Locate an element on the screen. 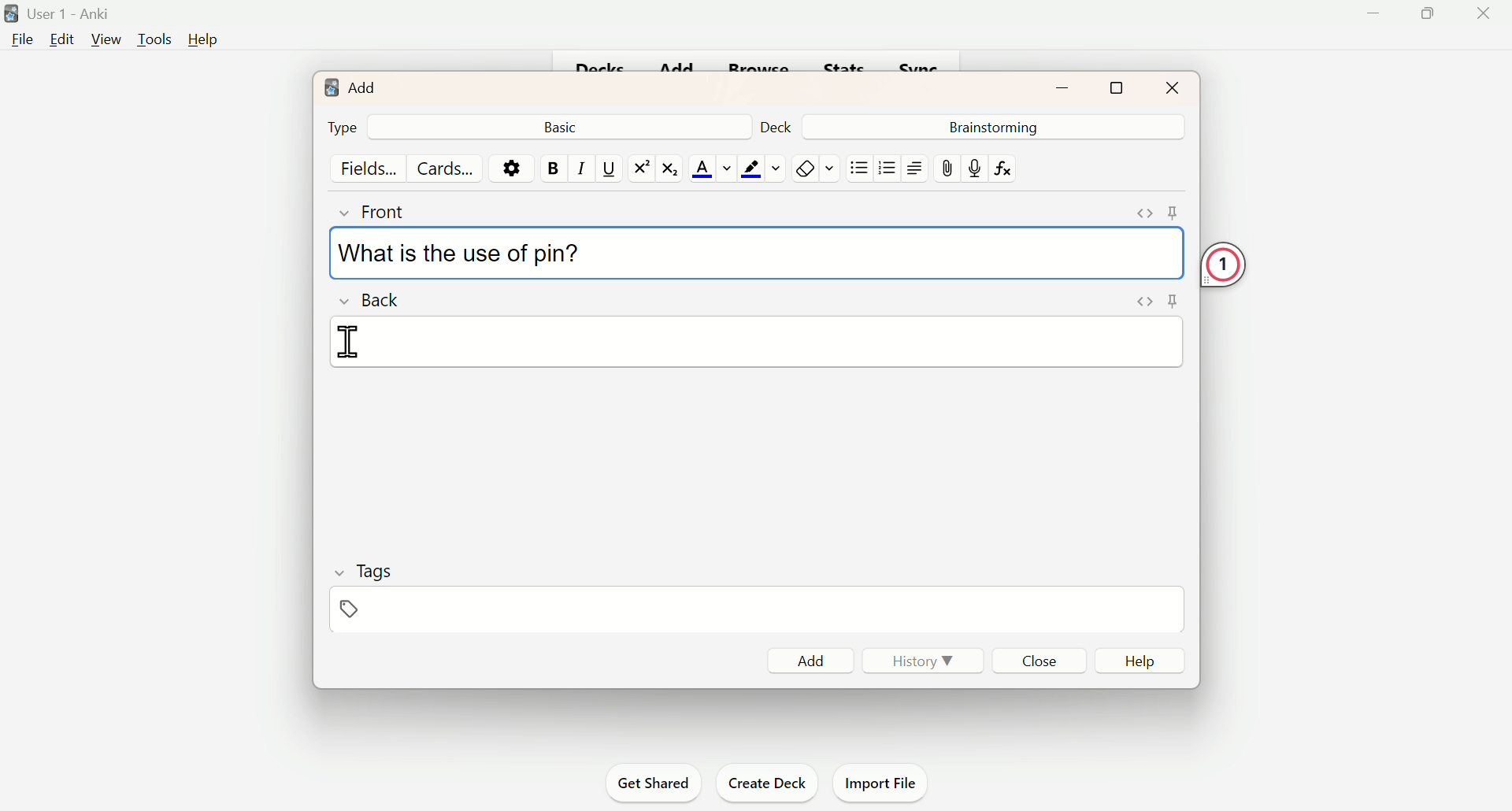 The height and width of the screenshot is (811, 1512). Pins is located at coordinates (1158, 213).